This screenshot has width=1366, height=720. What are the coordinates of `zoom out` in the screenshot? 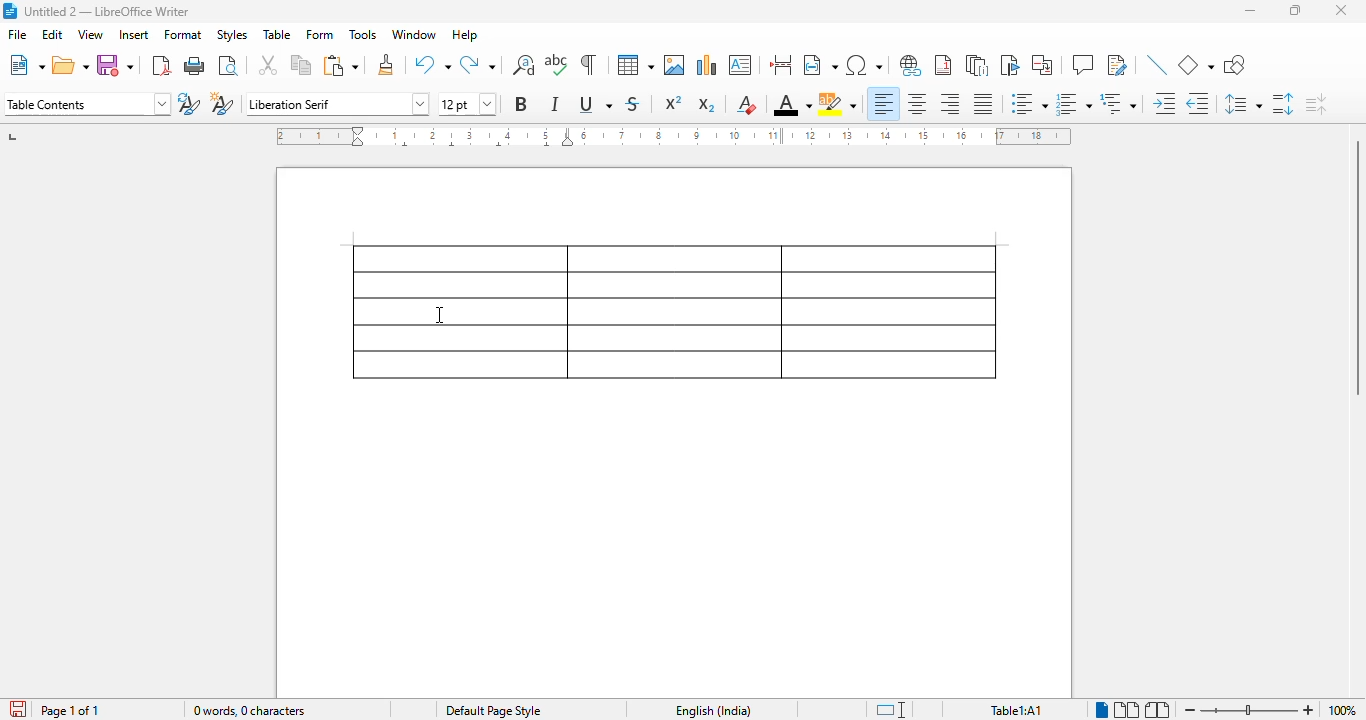 It's located at (1191, 710).